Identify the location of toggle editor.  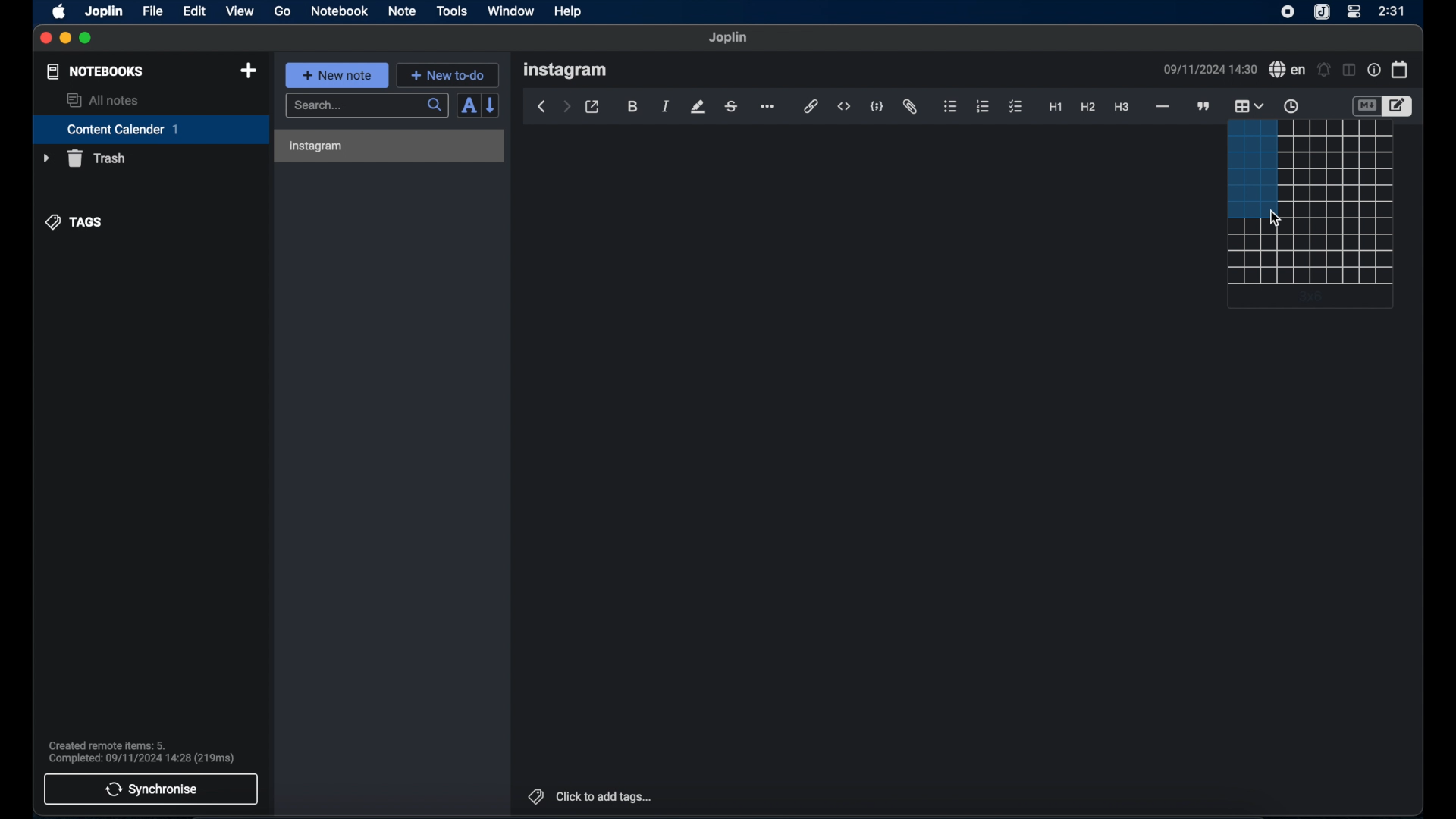
(1401, 105).